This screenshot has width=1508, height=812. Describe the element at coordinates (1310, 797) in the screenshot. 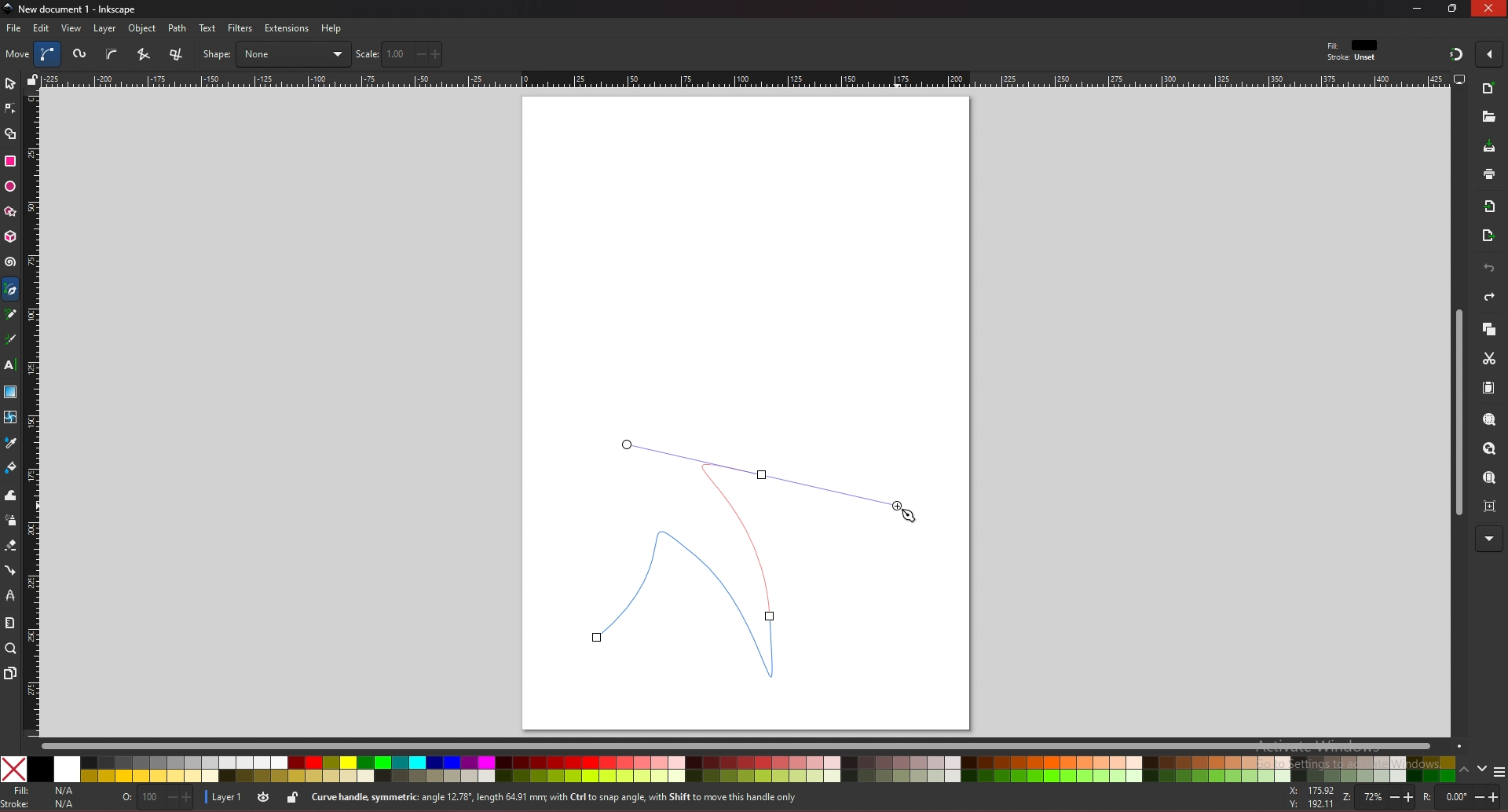

I see `x and y coordinates` at that location.